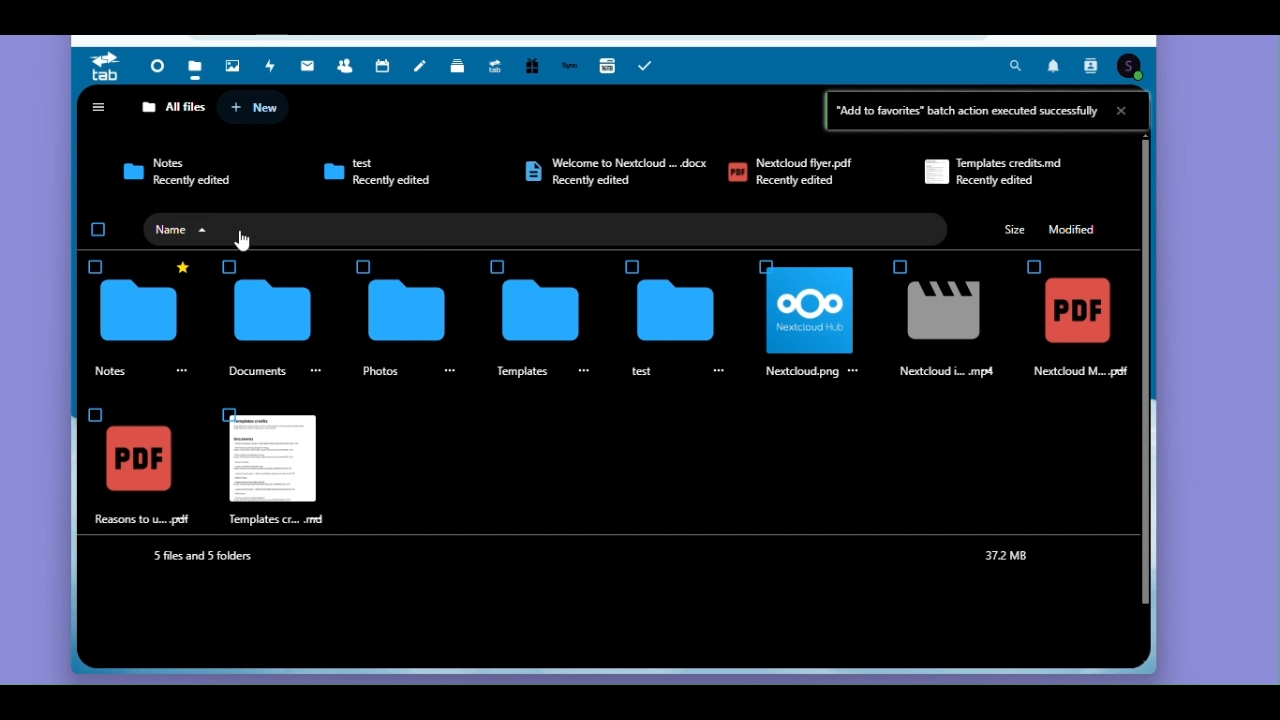  Describe the element at coordinates (532, 172) in the screenshot. I see `Icon` at that location.